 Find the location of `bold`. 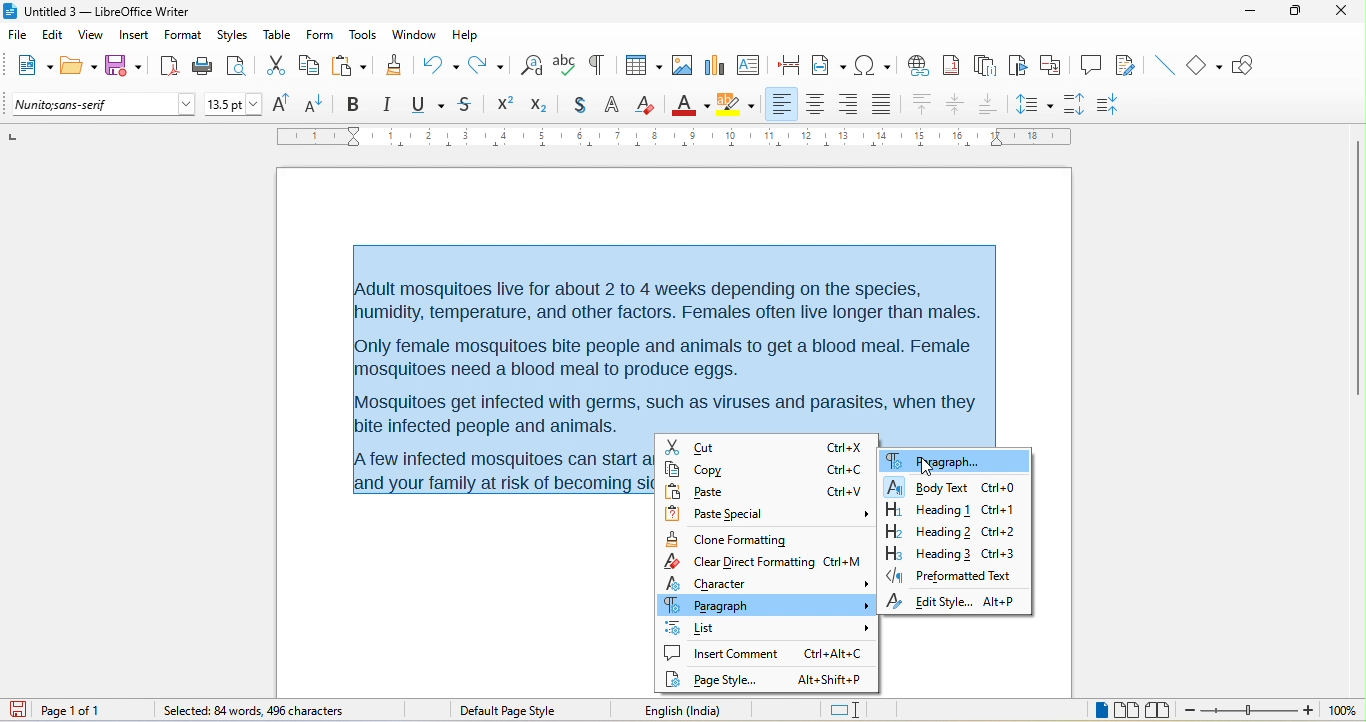

bold is located at coordinates (353, 105).